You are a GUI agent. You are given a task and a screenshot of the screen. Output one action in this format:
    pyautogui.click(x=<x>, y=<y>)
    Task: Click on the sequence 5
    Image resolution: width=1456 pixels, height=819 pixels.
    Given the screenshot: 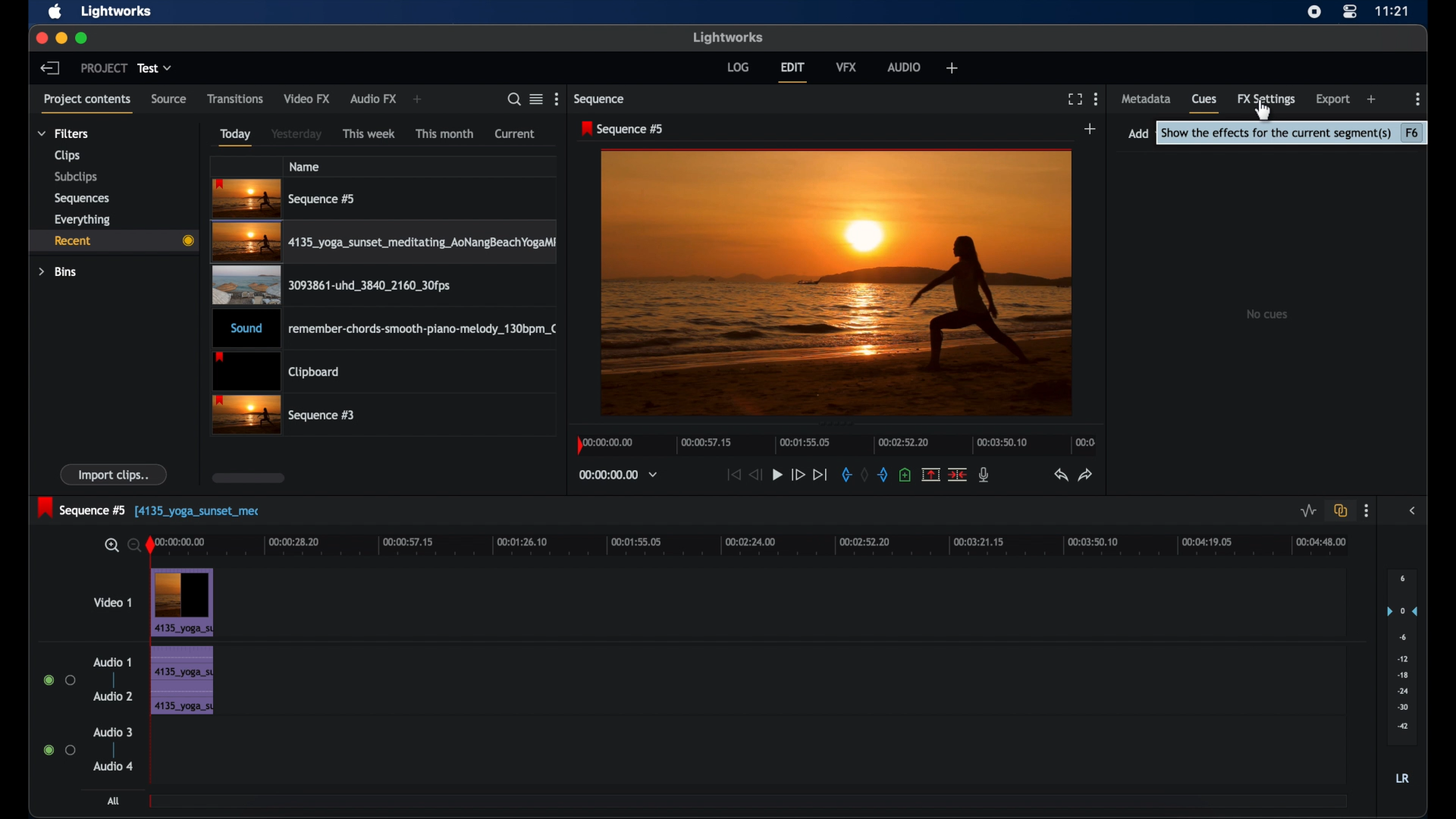 What is the action you would take?
    pyautogui.click(x=149, y=509)
    